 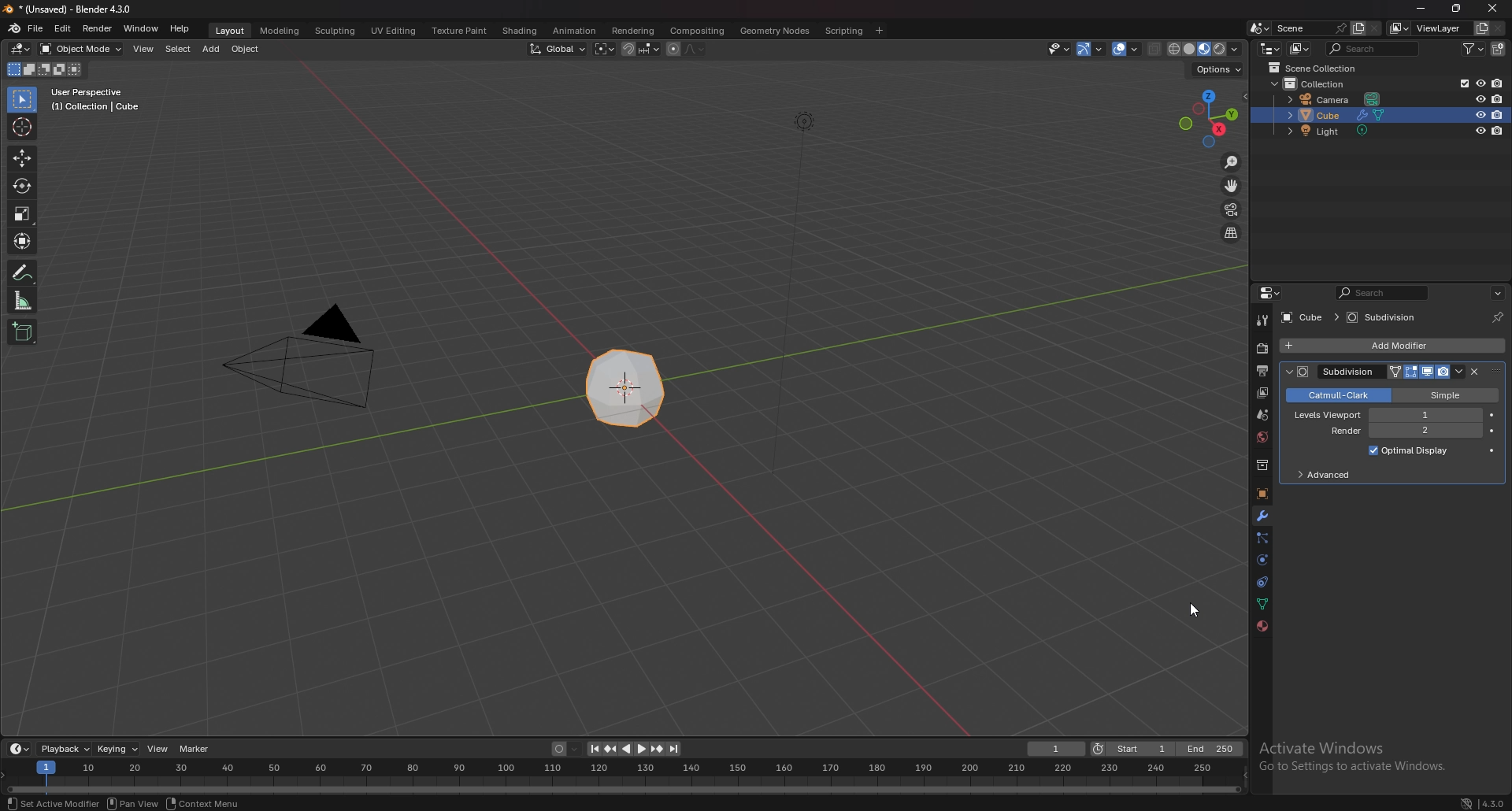 What do you see at coordinates (1260, 437) in the screenshot?
I see `world` at bounding box center [1260, 437].